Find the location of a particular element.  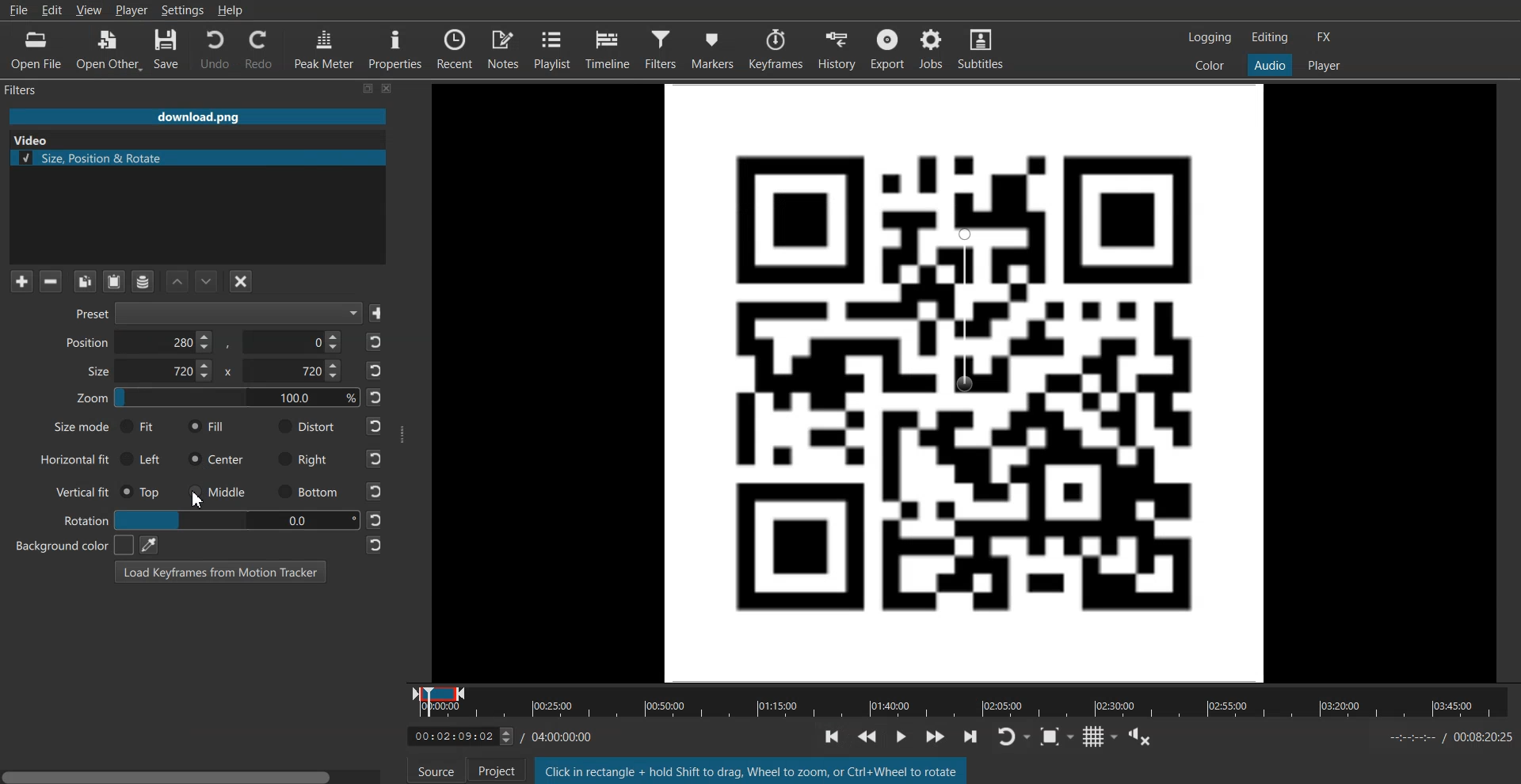

Text 2 is located at coordinates (29, 140).